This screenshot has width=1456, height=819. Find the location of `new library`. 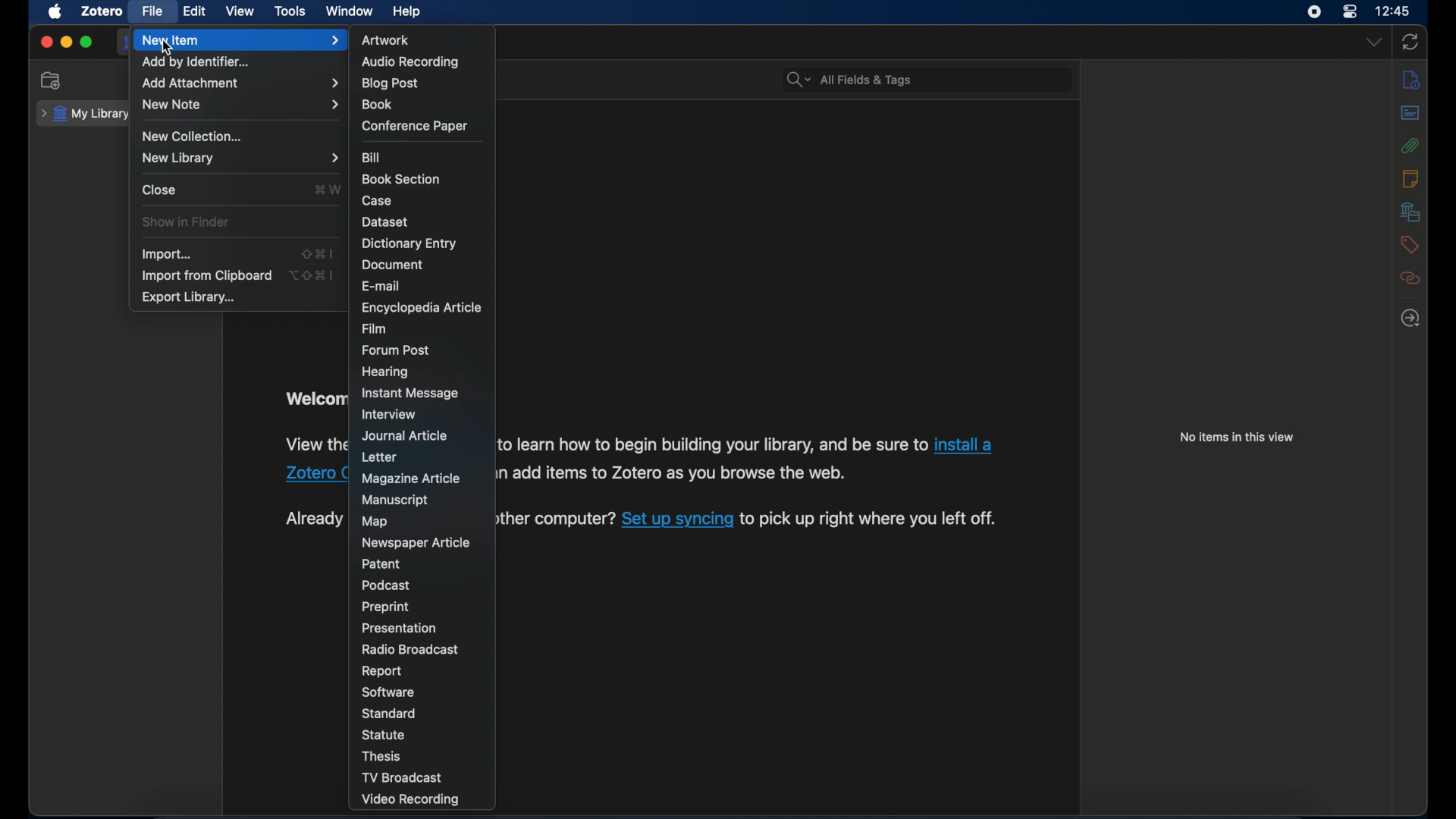

new library is located at coordinates (242, 158).